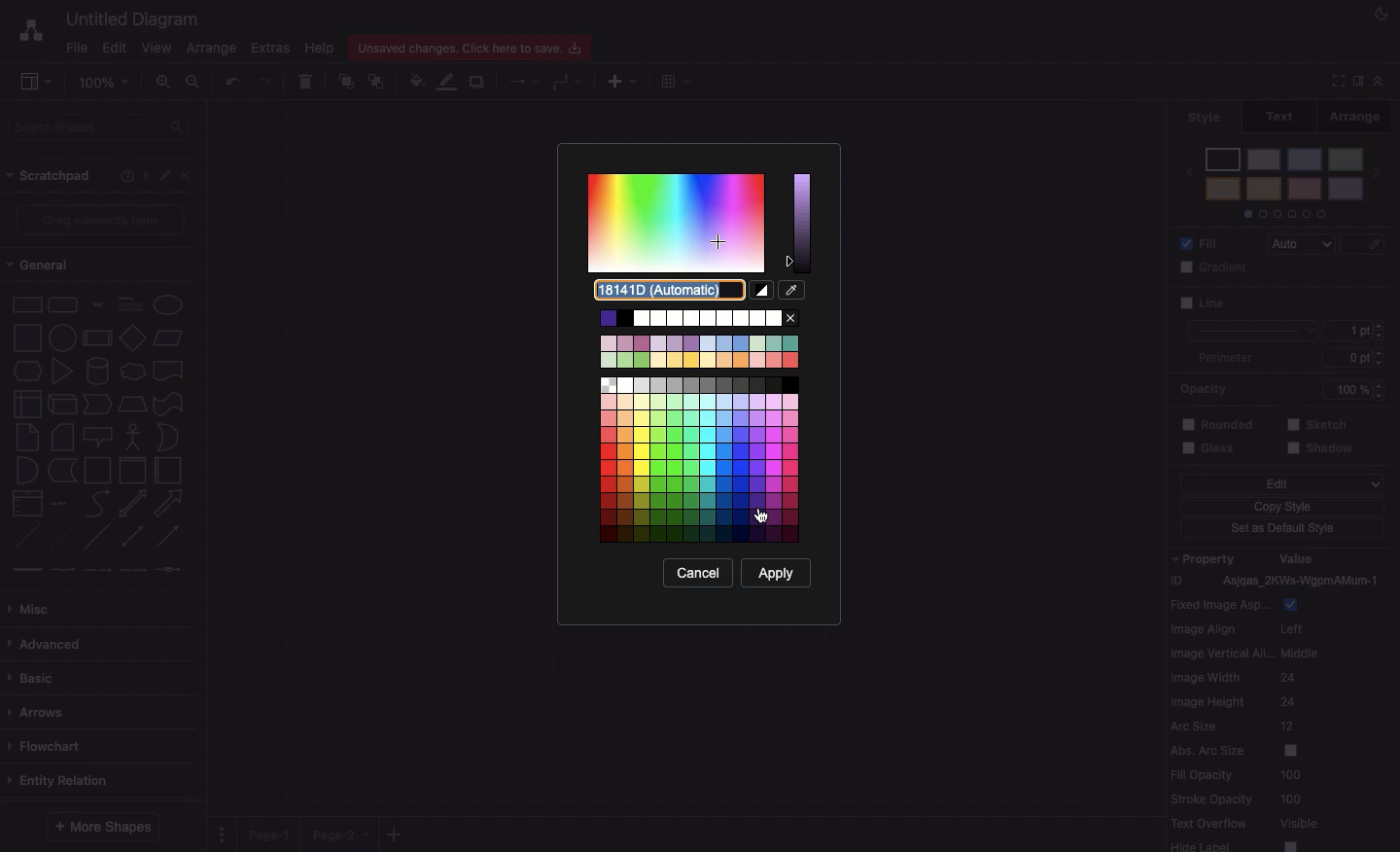 The width and height of the screenshot is (1400, 852). What do you see at coordinates (34, 604) in the screenshot?
I see `Misc` at bounding box center [34, 604].